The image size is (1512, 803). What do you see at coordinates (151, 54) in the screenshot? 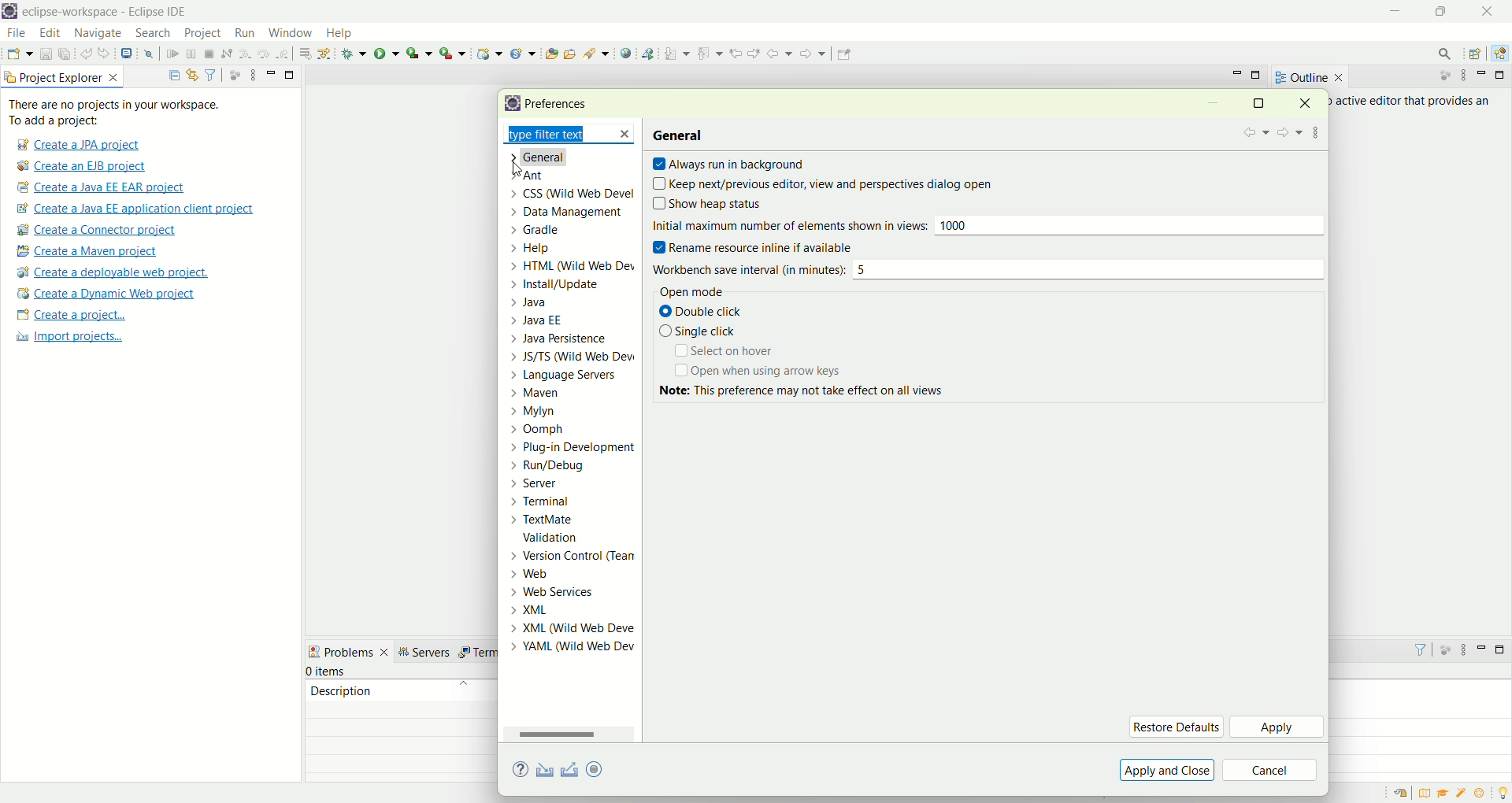
I see `skip all breakpoints` at bounding box center [151, 54].